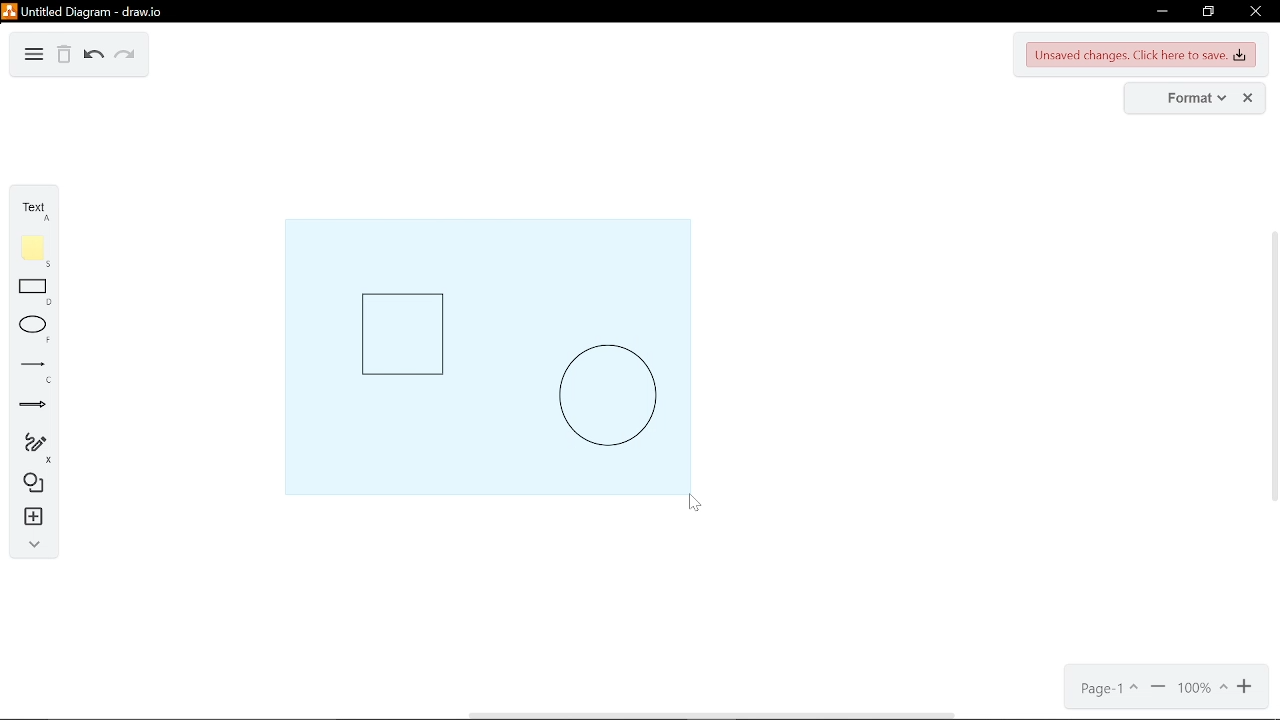 The width and height of the screenshot is (1280, 720). I want to click on zoom in, so click(1246, 690).